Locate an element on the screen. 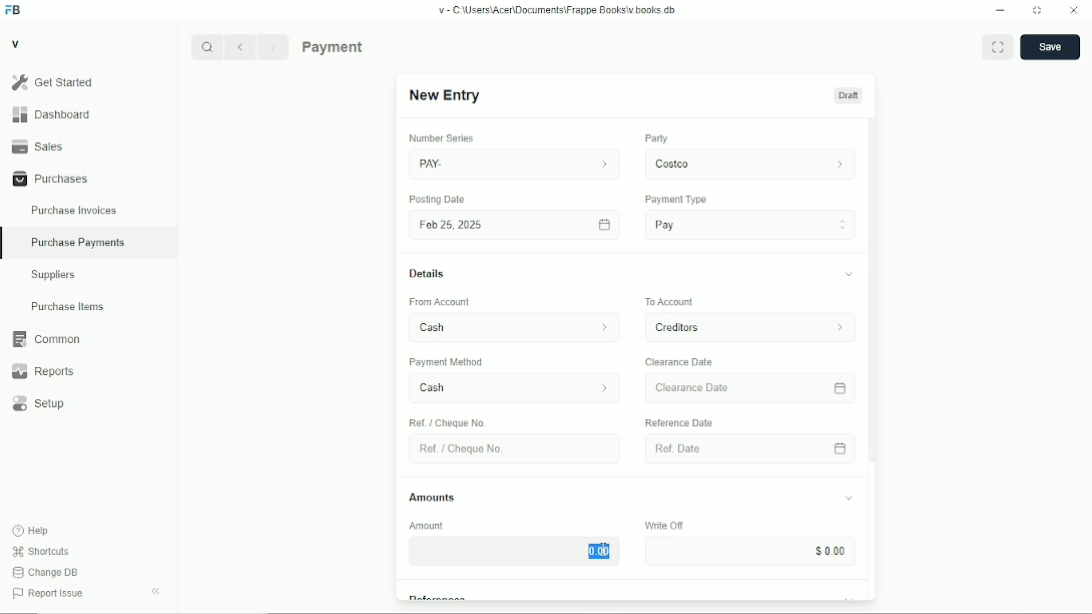 This screenshot has height=614, width=1092. Cash is located at coordinates (505, 389).